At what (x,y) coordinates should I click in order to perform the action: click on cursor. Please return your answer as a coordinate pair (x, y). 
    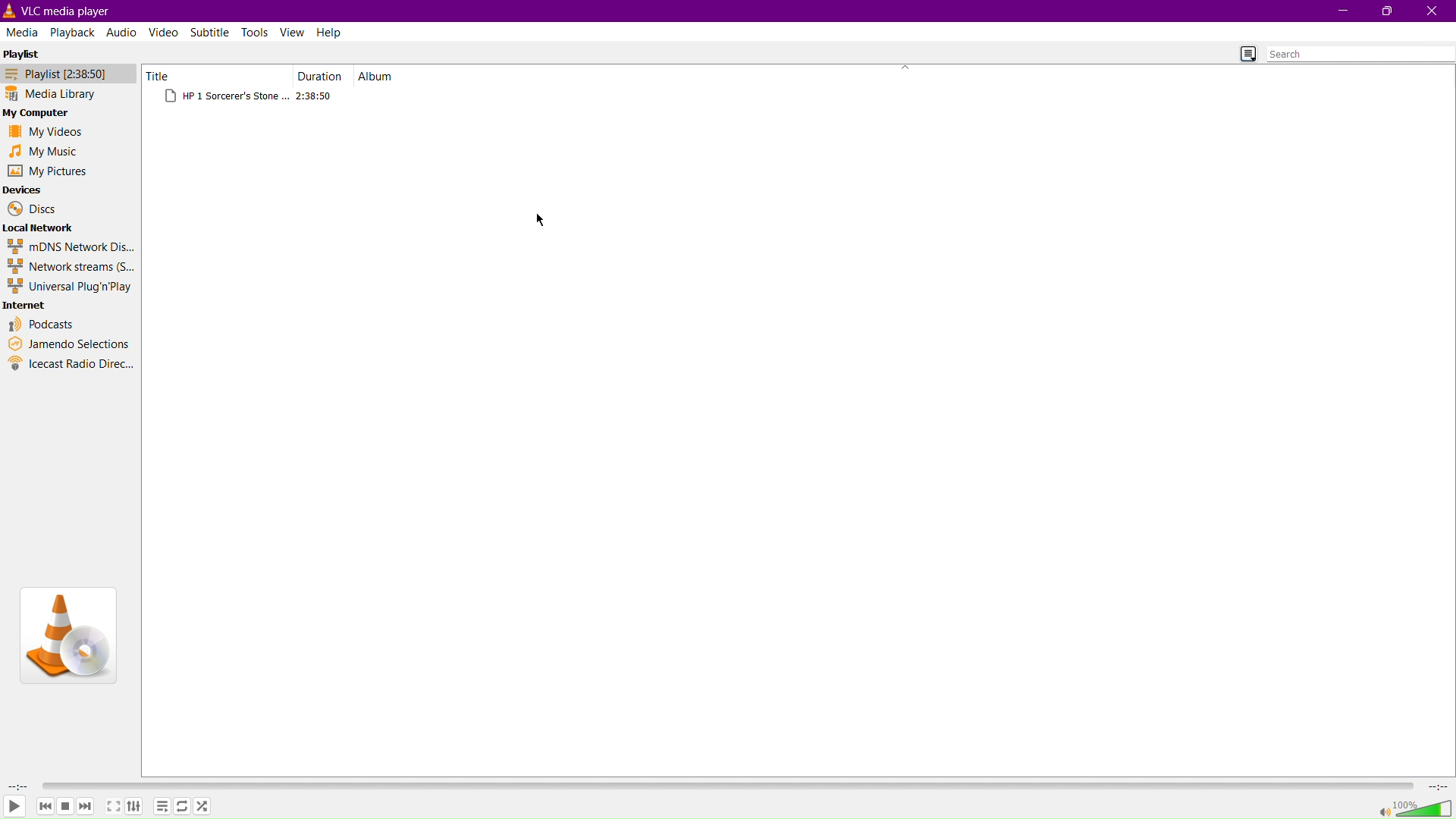
    Looking at the image, I should click on (541, 218).